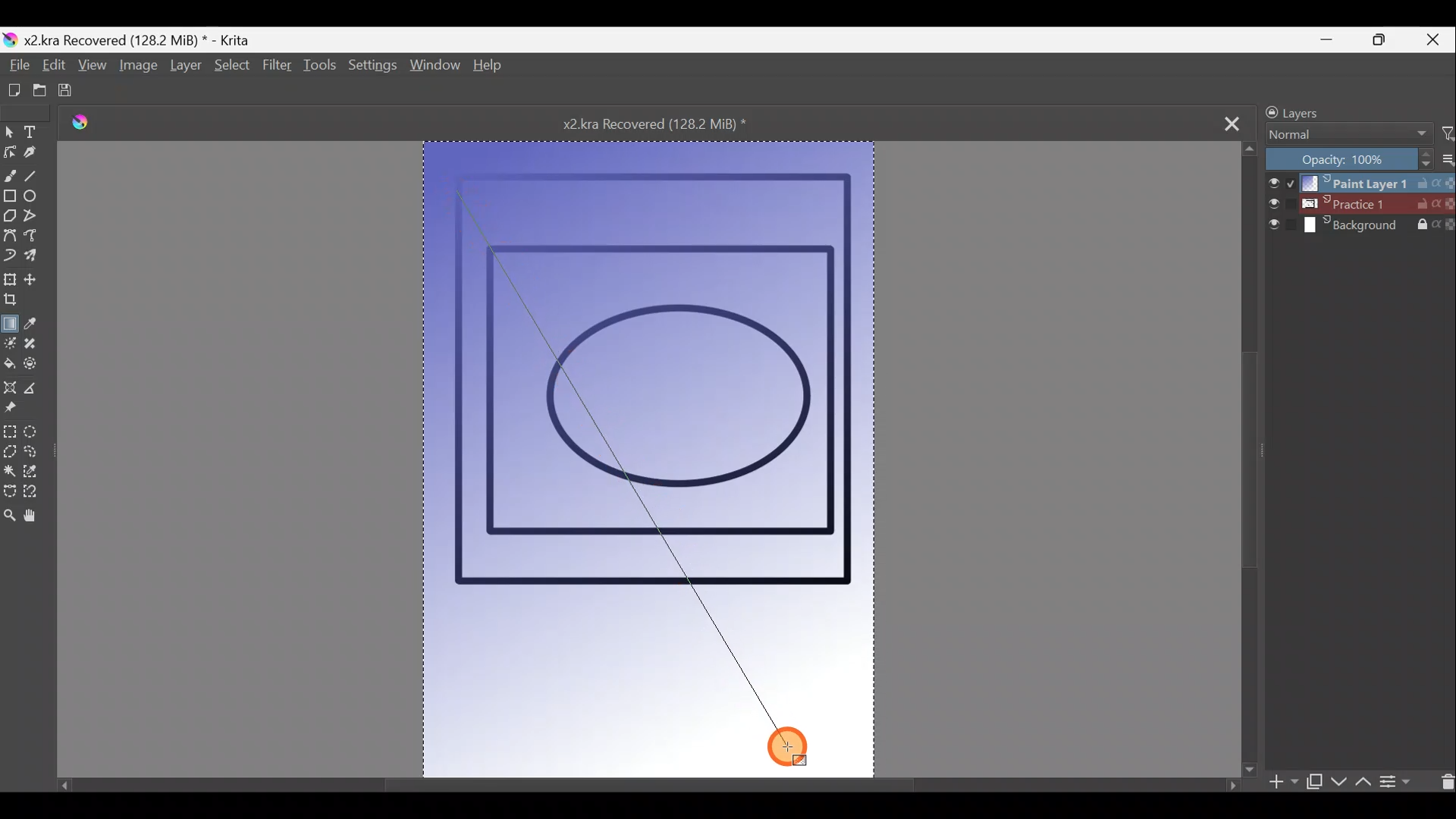 The width and height of the screenshot is (1456, 819). Describe the element at coordinates (34, 178) in the screenshot. I see `Line tool` at that location.